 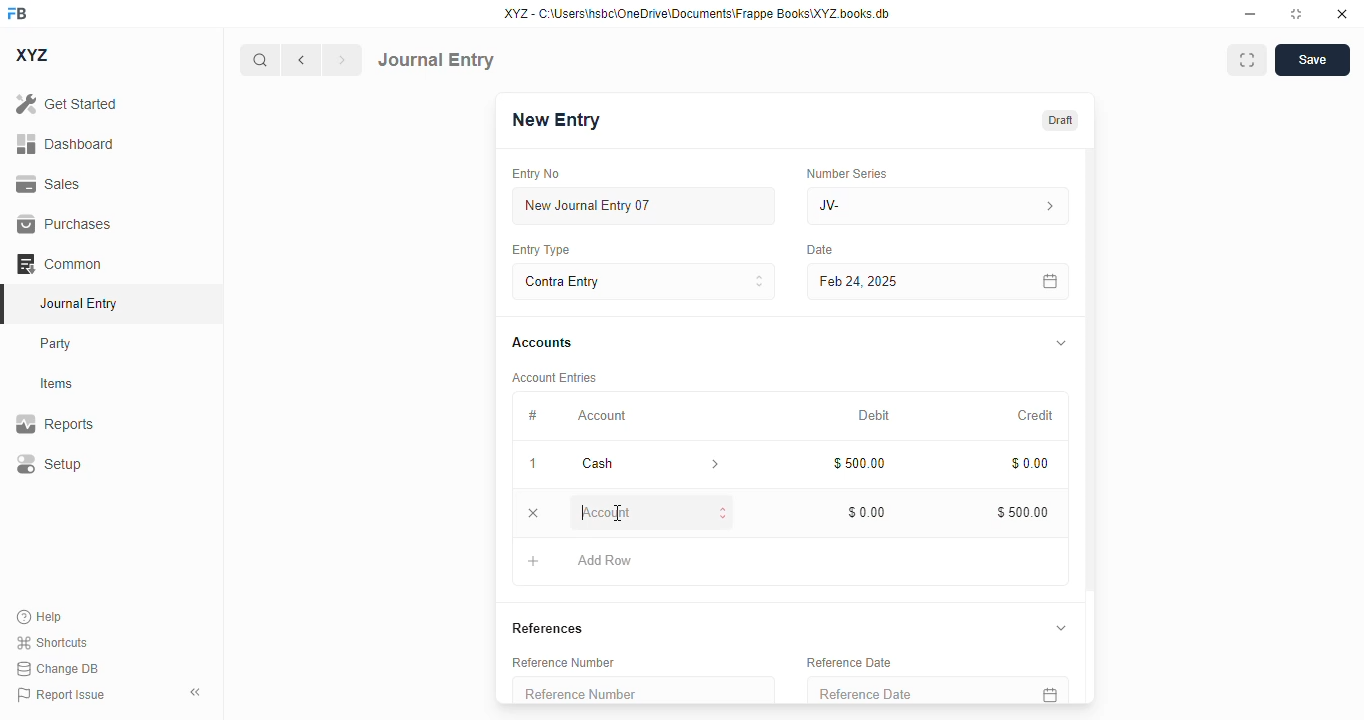 I want to click on purchases, so click(x=66, y=224).